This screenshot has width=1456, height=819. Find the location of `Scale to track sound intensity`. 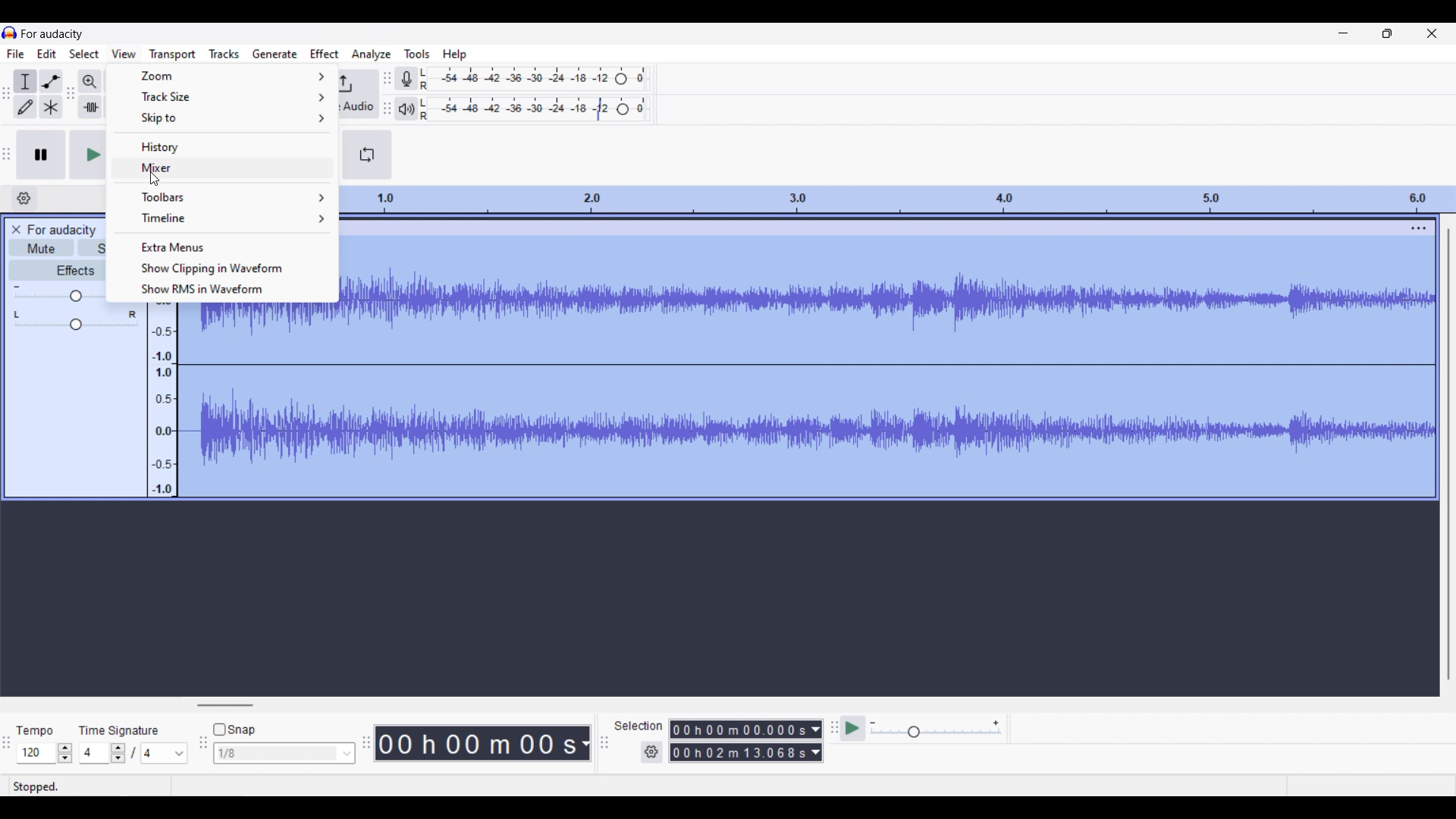

Scale to track sound intensity is located at coordinates (162, 399).